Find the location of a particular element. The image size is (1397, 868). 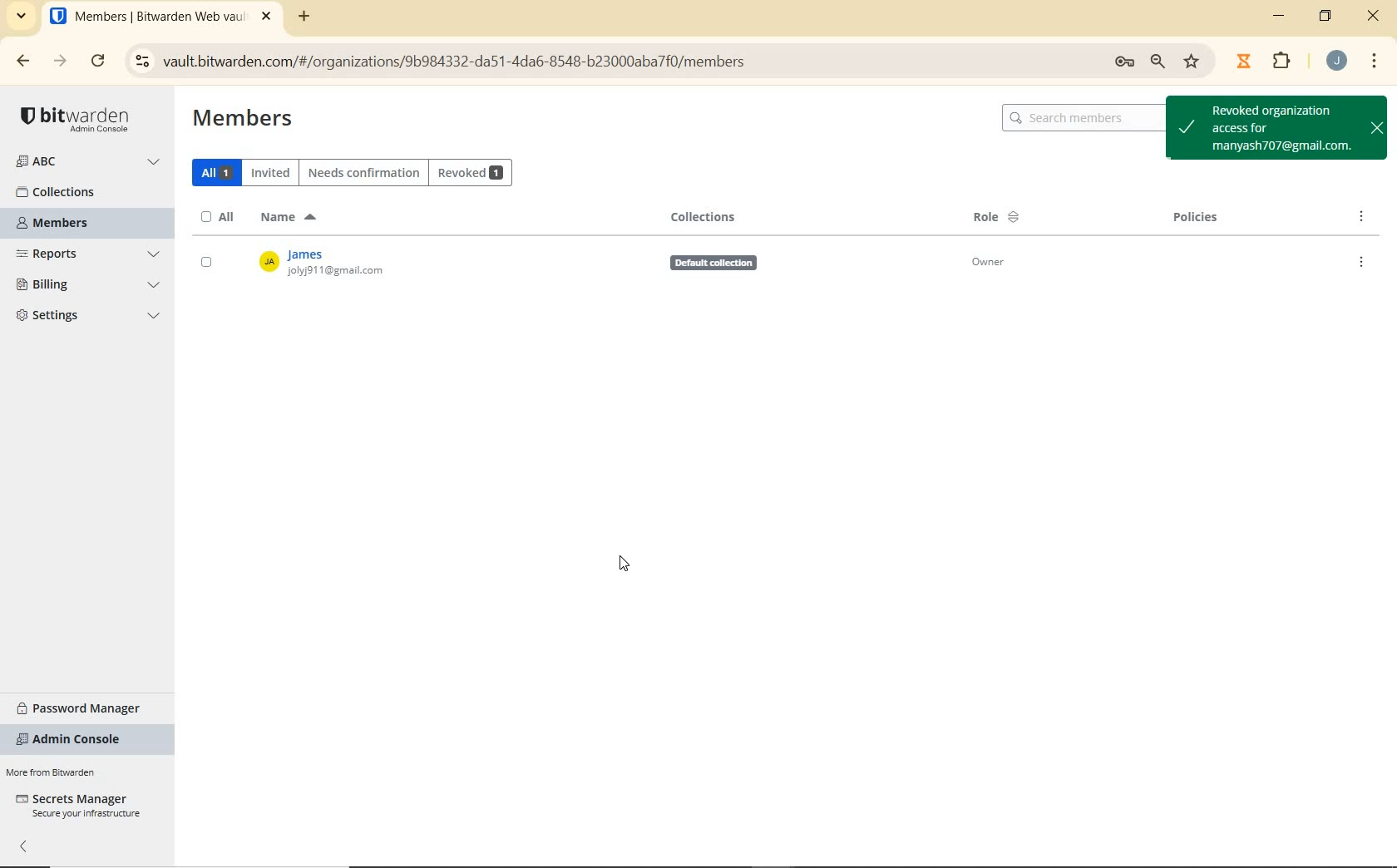

ADDRESS BAR is located at coordinates (668, 60).